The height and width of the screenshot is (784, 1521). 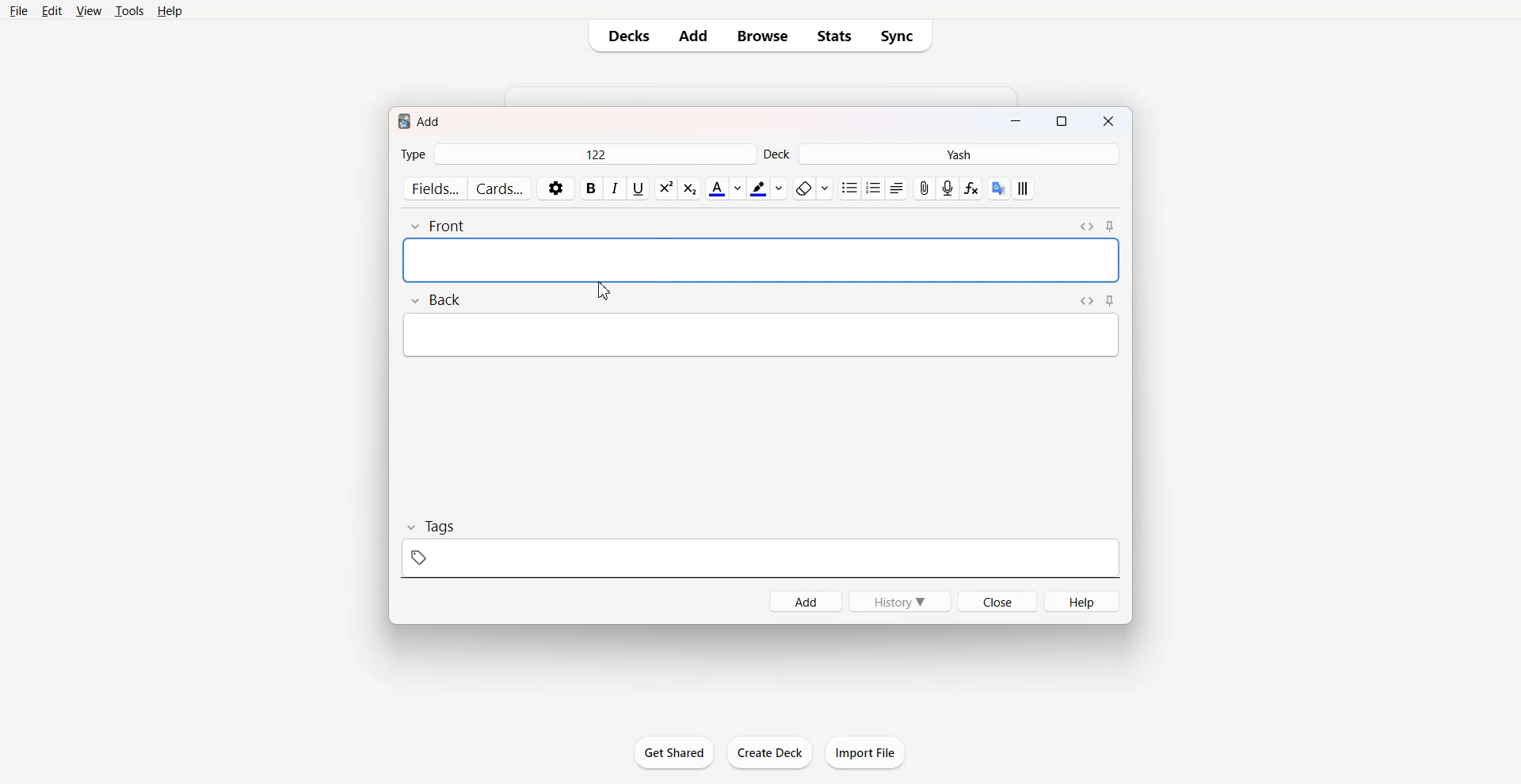 What do you see at coordinates (129, 12) in the screenshot?
I see `Tools` at bounding box center [129, 12].